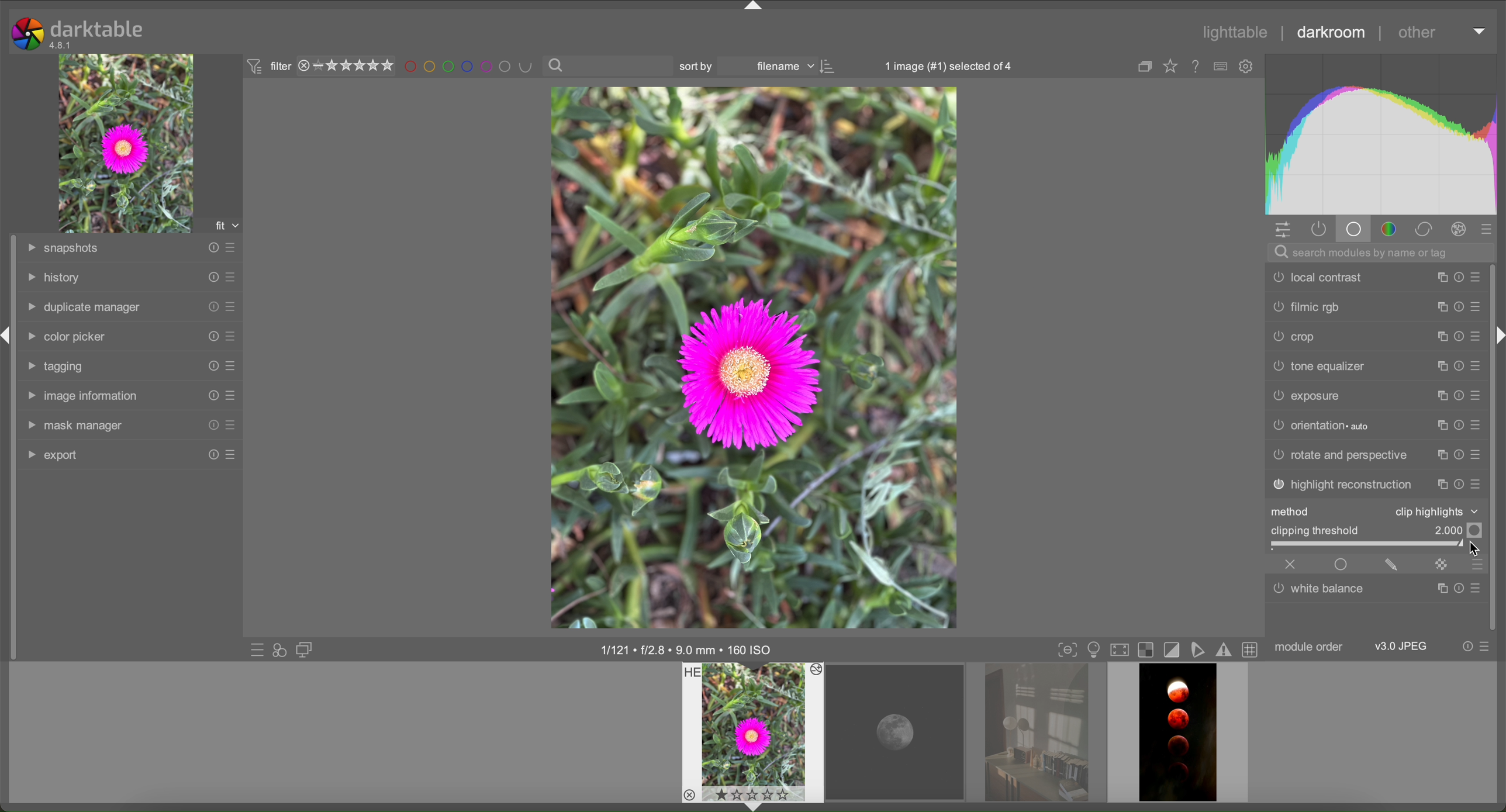 This screenshot has height=812, width=1506. I want to click on color picker tab, so click(64, 337).